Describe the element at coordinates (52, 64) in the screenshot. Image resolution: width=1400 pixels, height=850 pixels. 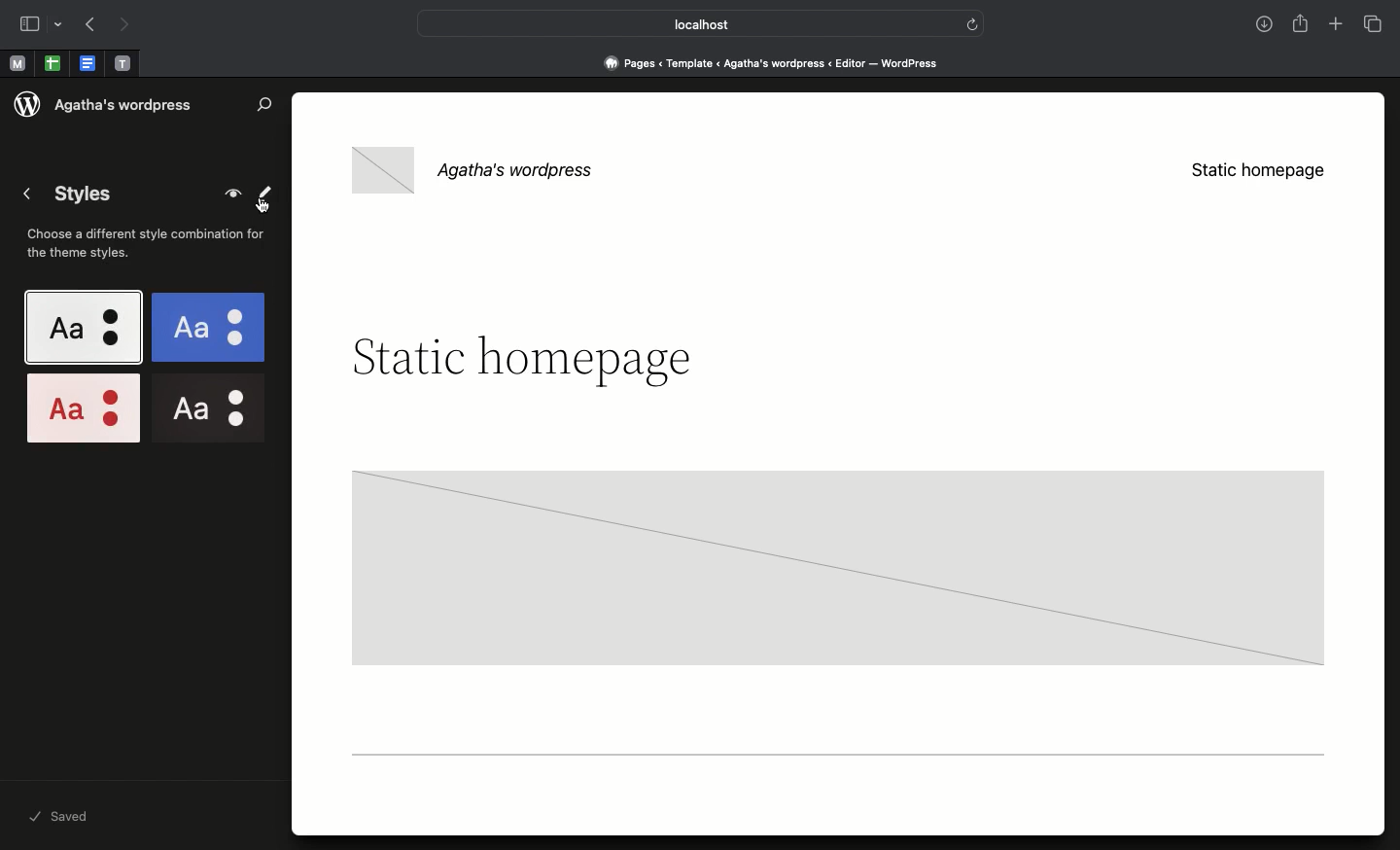
I see `Pinned tab` at that location.